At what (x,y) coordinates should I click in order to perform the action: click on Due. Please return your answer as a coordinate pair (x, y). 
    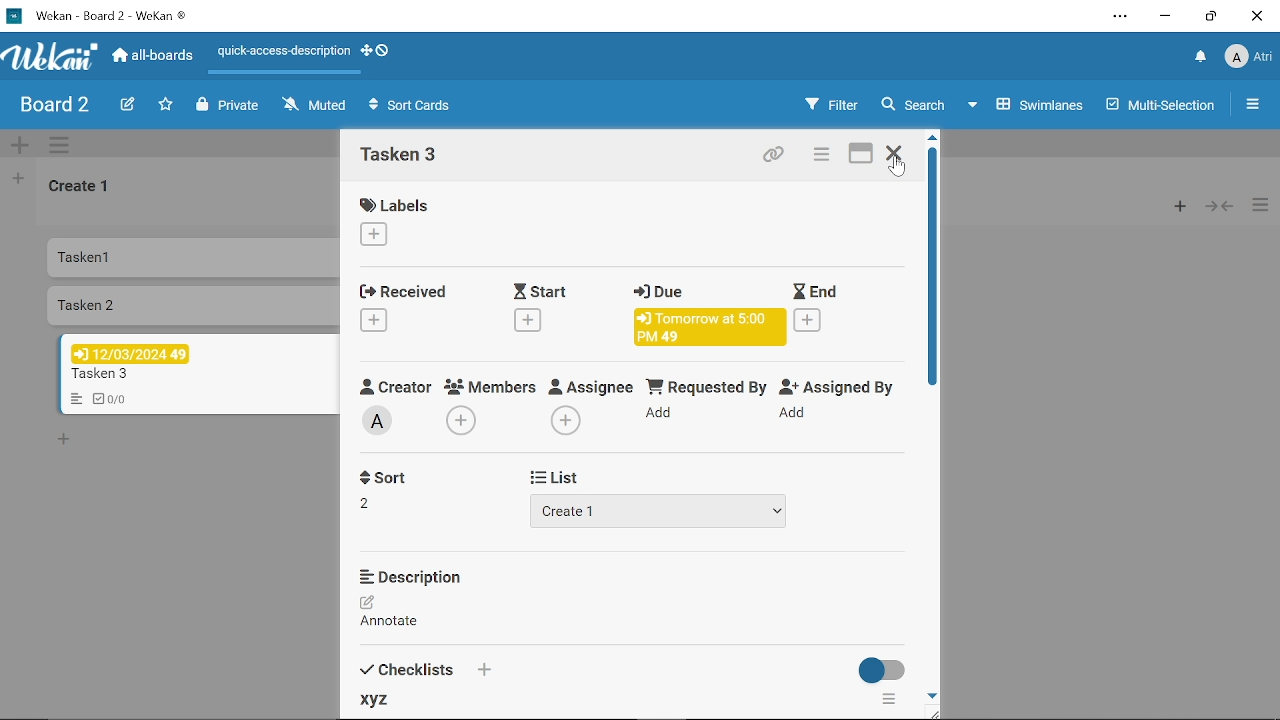
    Looking at the image, I should click on (665, 290).